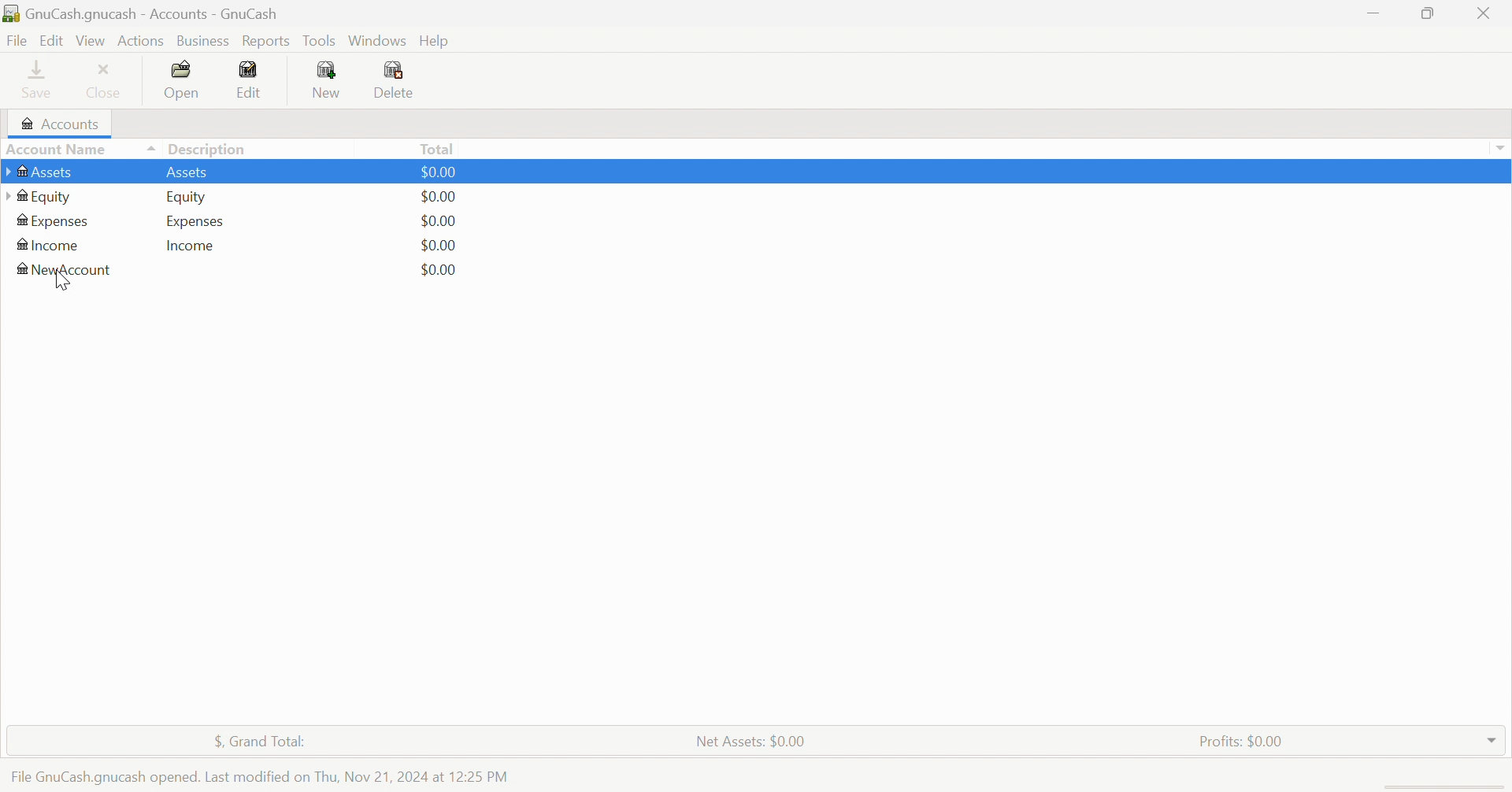  Describe the element at coordinates (65, 270) in the screenshot. I see `New Account` at that location.